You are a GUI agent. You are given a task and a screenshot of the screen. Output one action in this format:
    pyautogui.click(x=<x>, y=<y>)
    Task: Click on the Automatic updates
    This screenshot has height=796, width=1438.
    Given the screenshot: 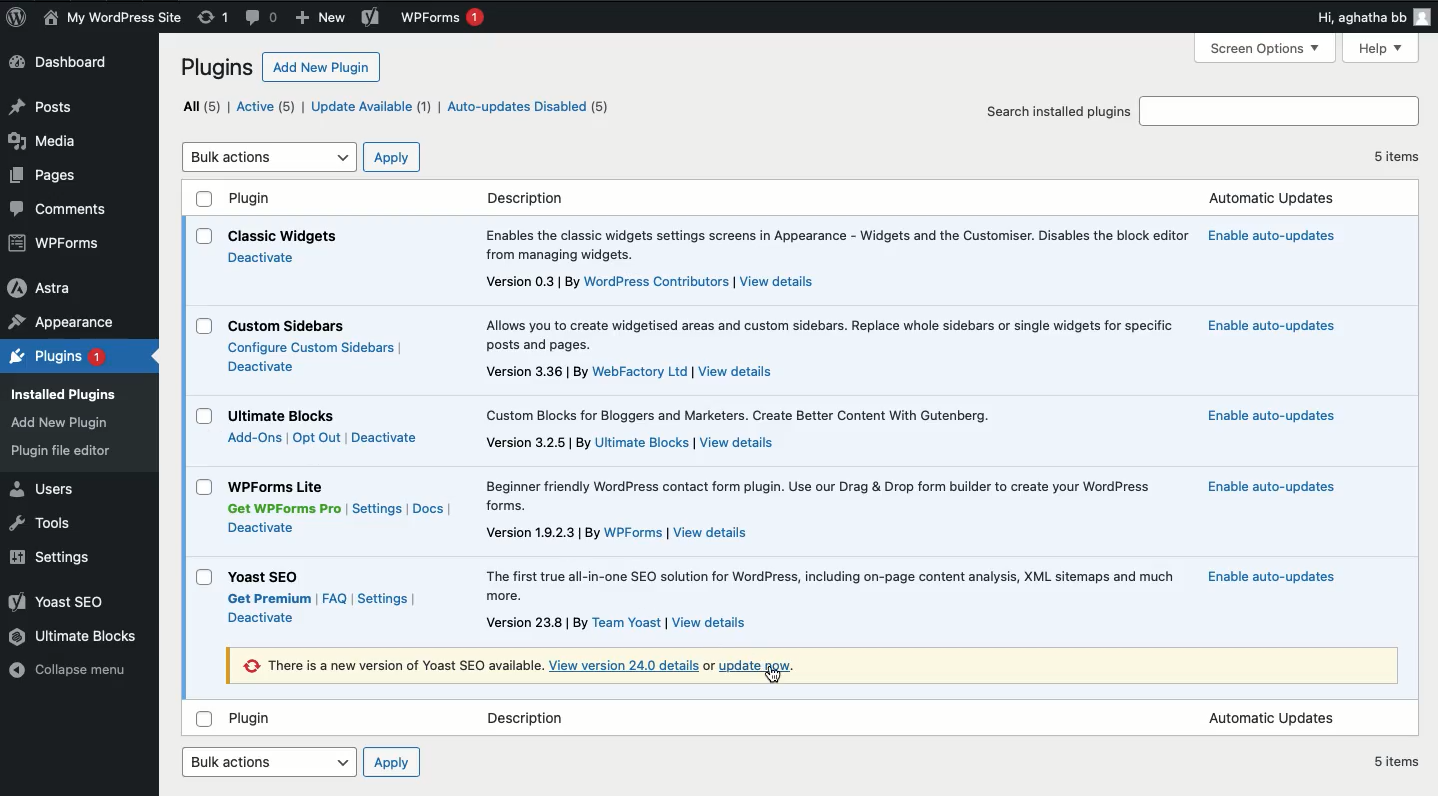 What is the action you would take?
    pyautogui.click(x=1269, y=199)
    